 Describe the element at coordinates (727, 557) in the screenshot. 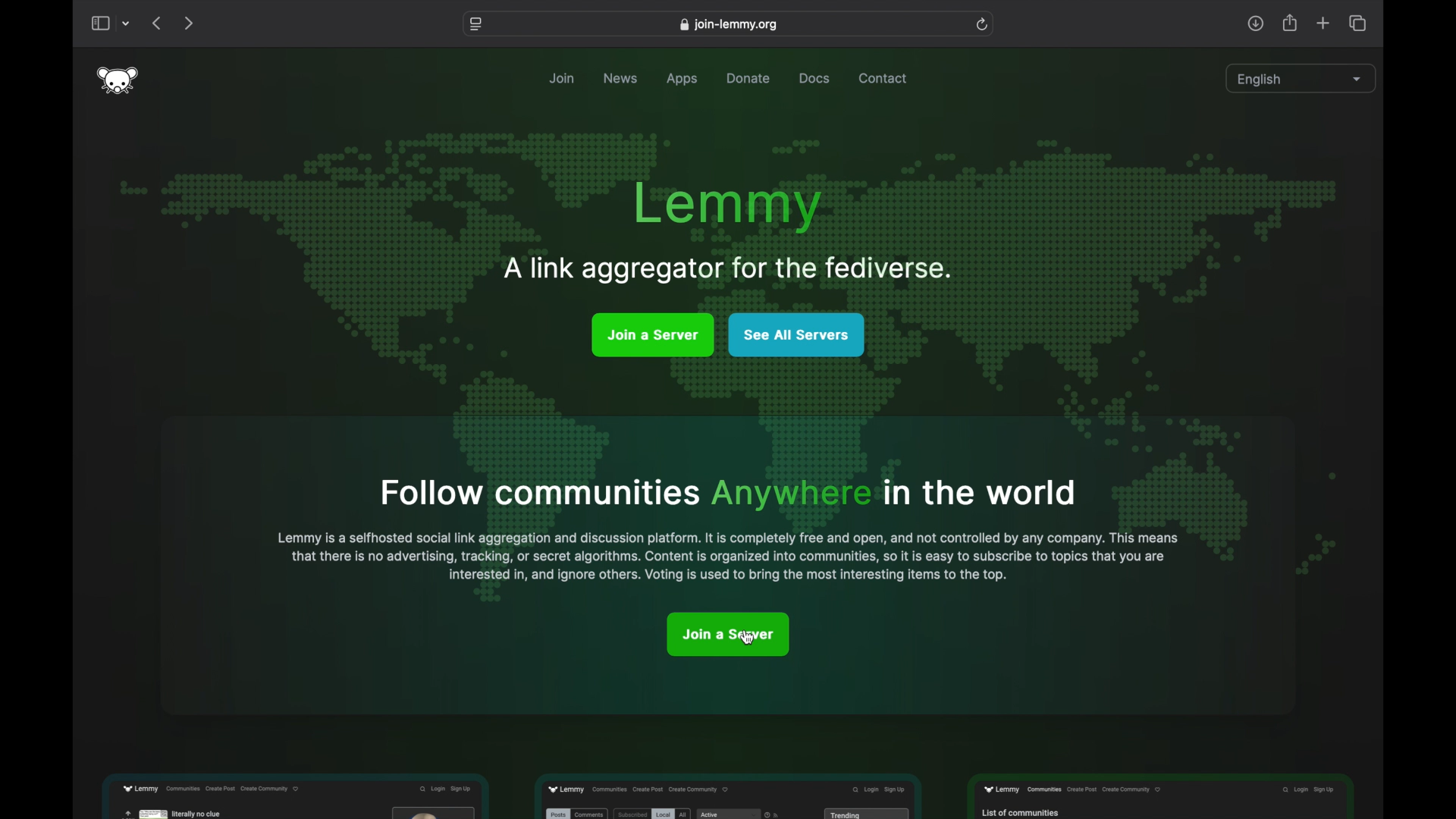

I see `info` at that location.